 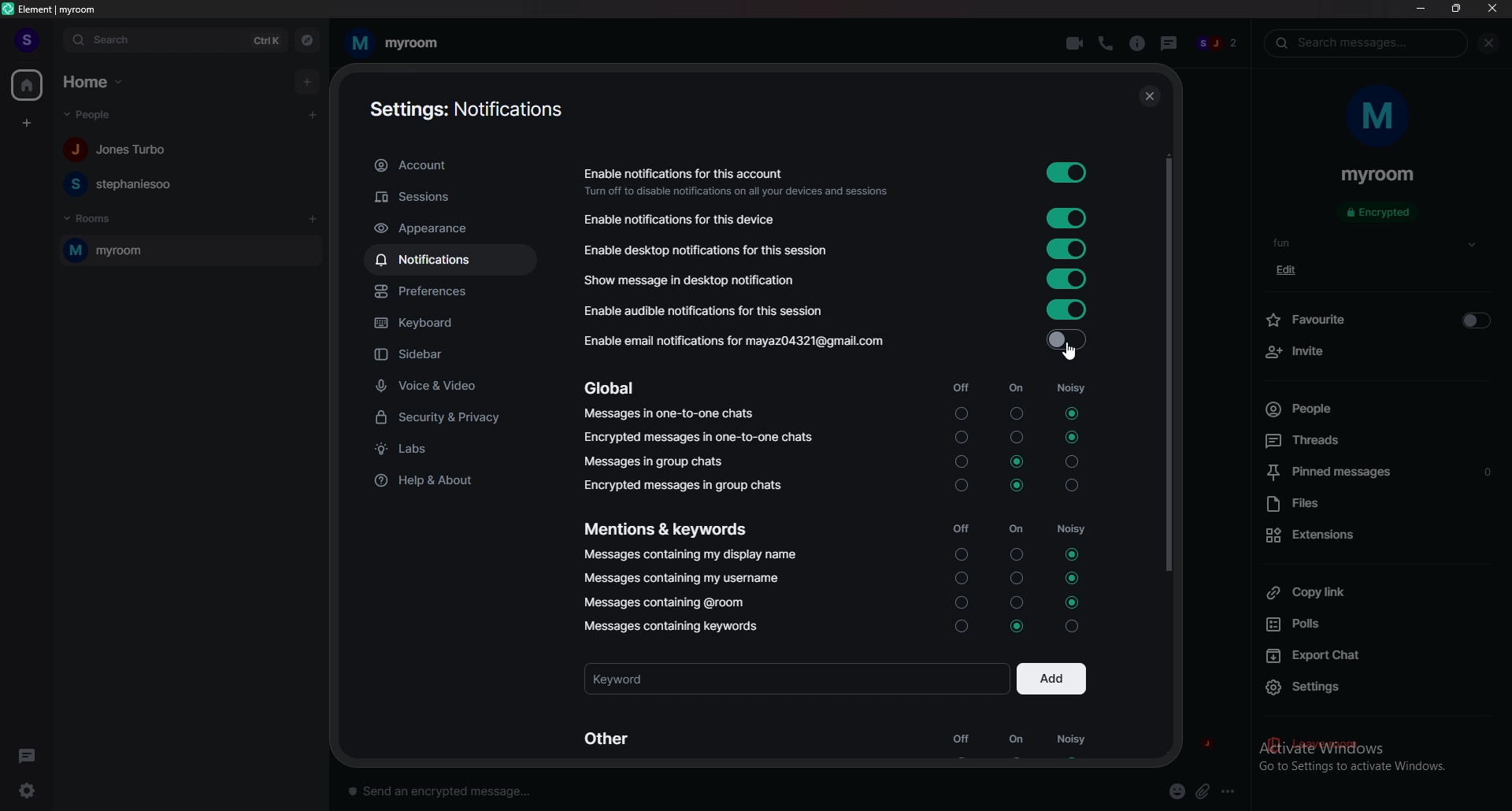 What do you see at coordinates (611, 738) in the screenshot?
I see `other` at bounding box center [611, 738].